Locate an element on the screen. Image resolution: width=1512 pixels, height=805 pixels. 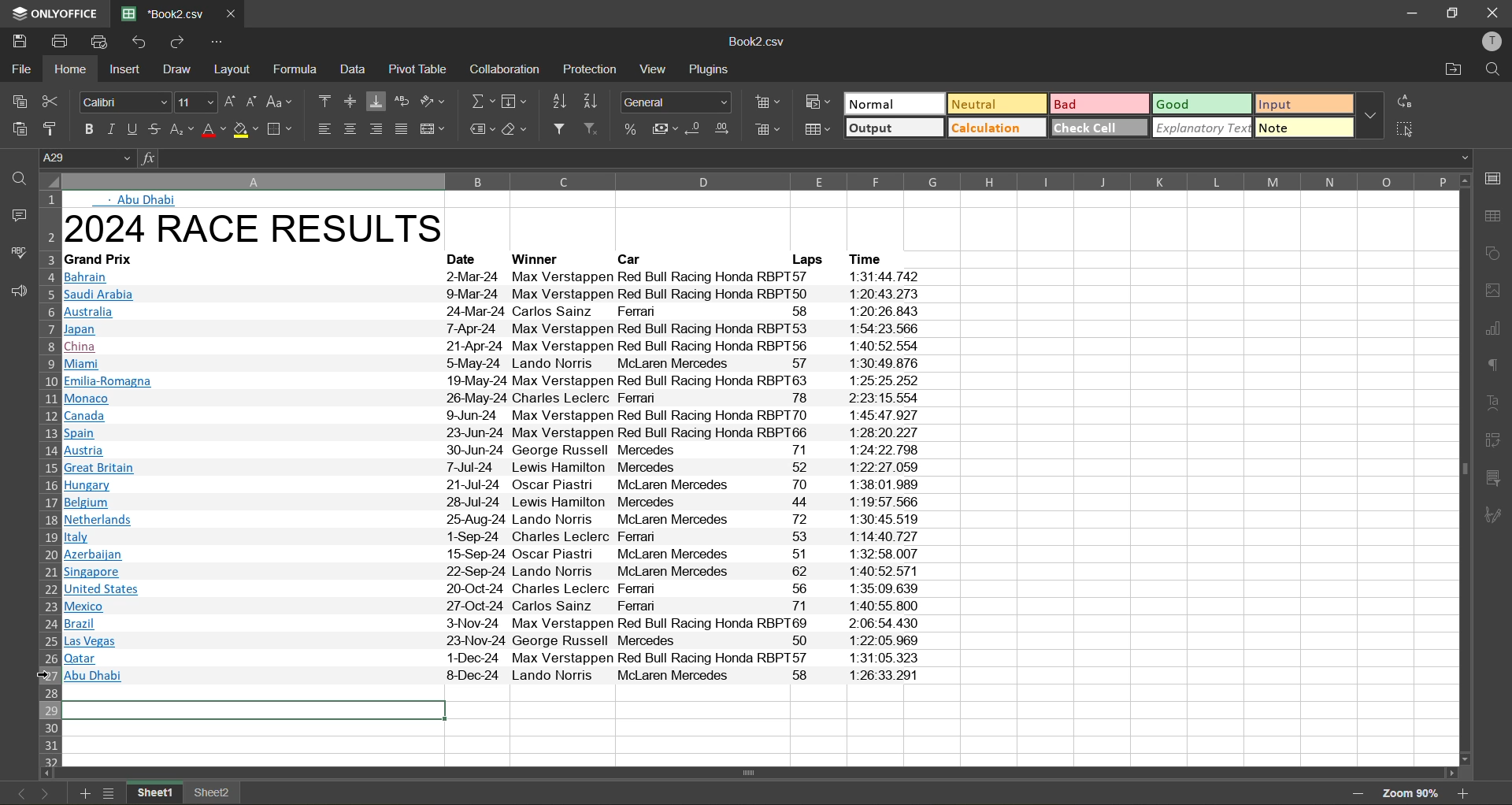
text info is located at coordinates (495, 572).